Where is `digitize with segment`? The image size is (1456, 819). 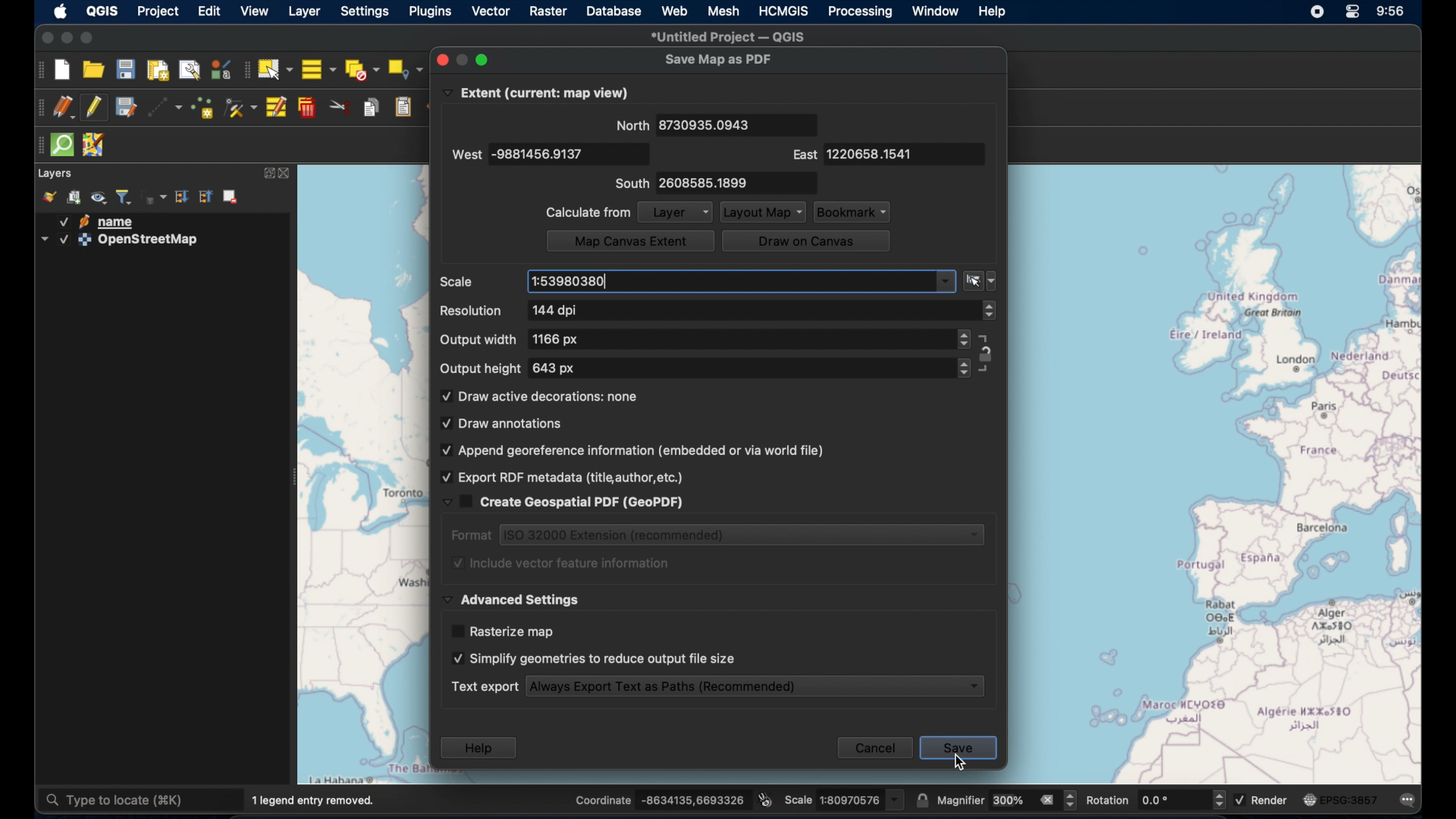 digitize with segment is located at coordinates (165, 109).